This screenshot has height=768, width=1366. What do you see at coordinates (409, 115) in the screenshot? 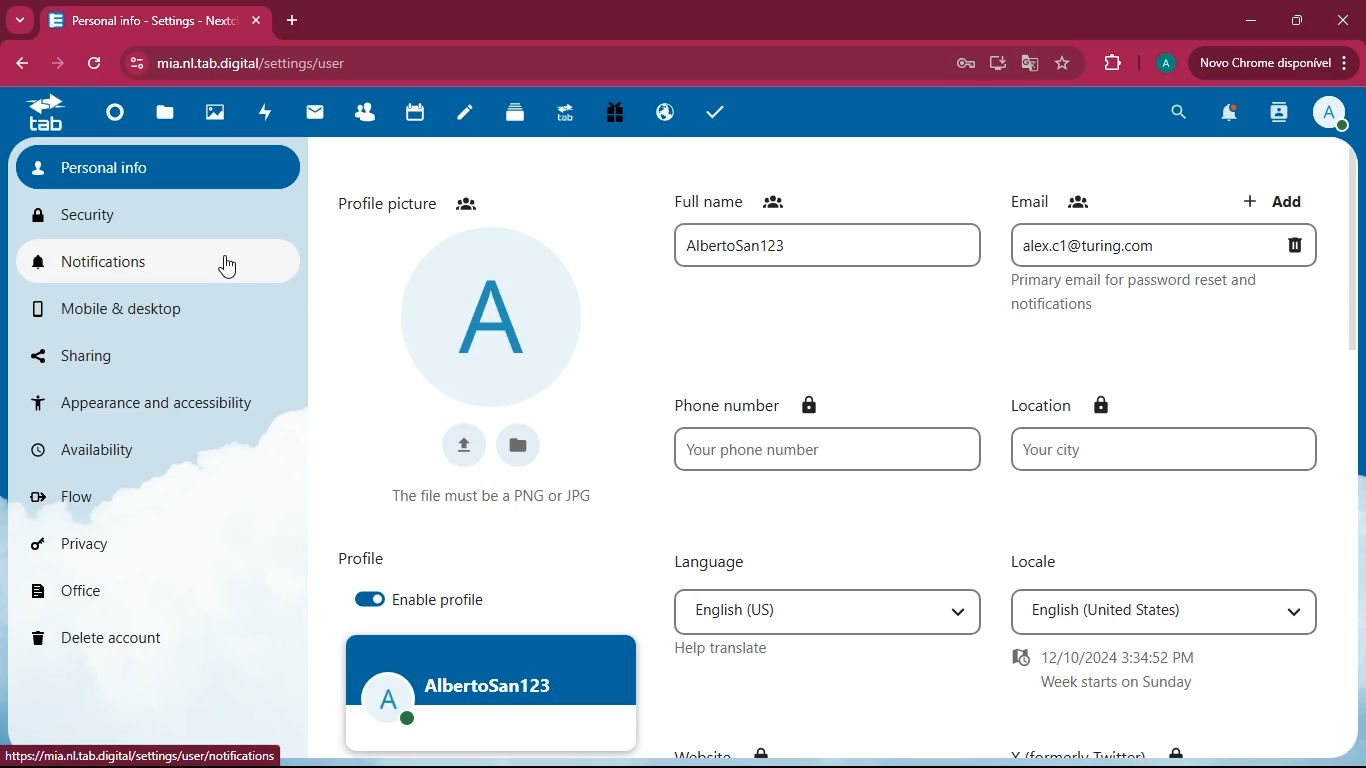
I see `calendar` at bounding box center [409, 115].